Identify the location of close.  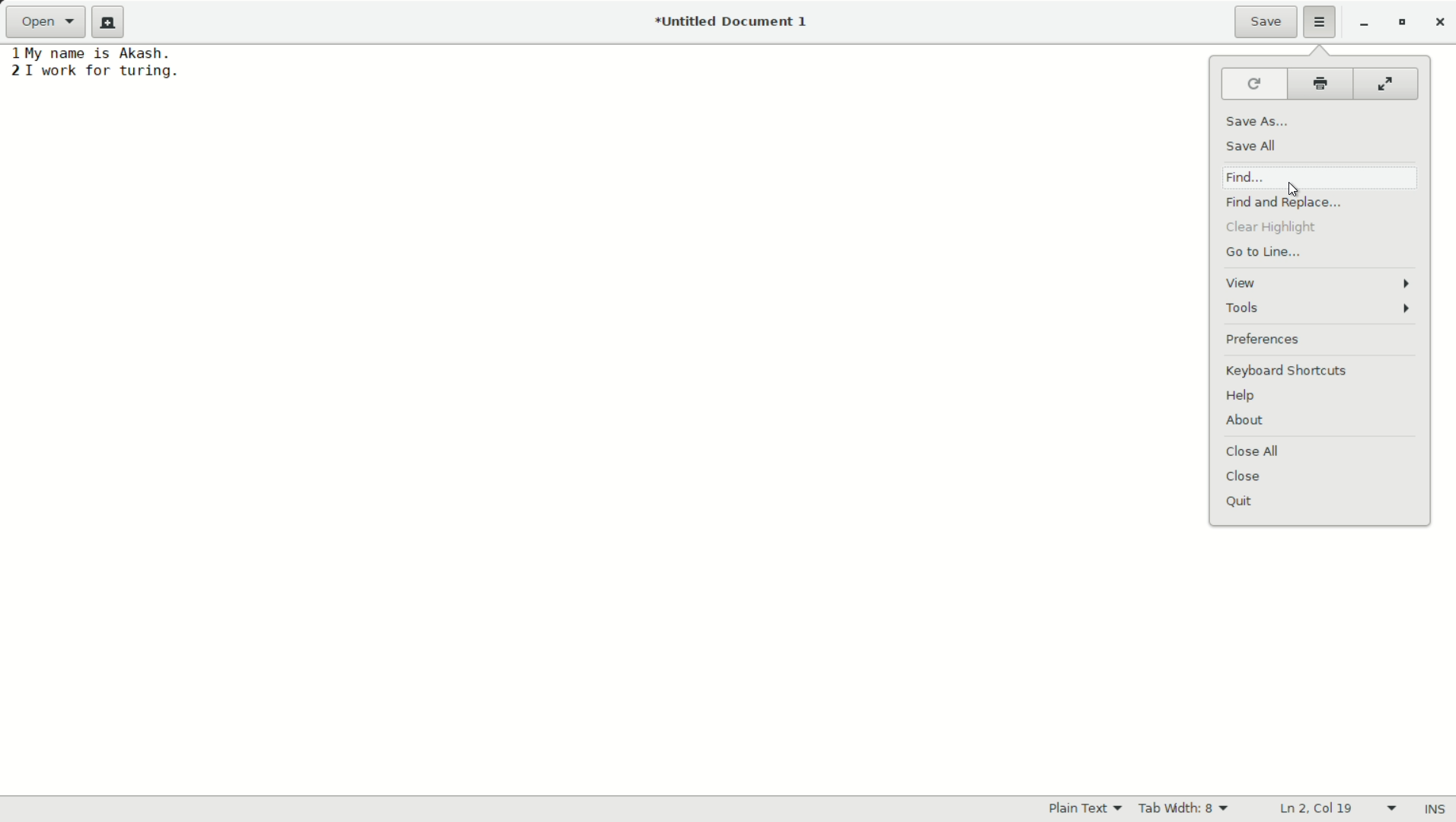
(1244, 476).